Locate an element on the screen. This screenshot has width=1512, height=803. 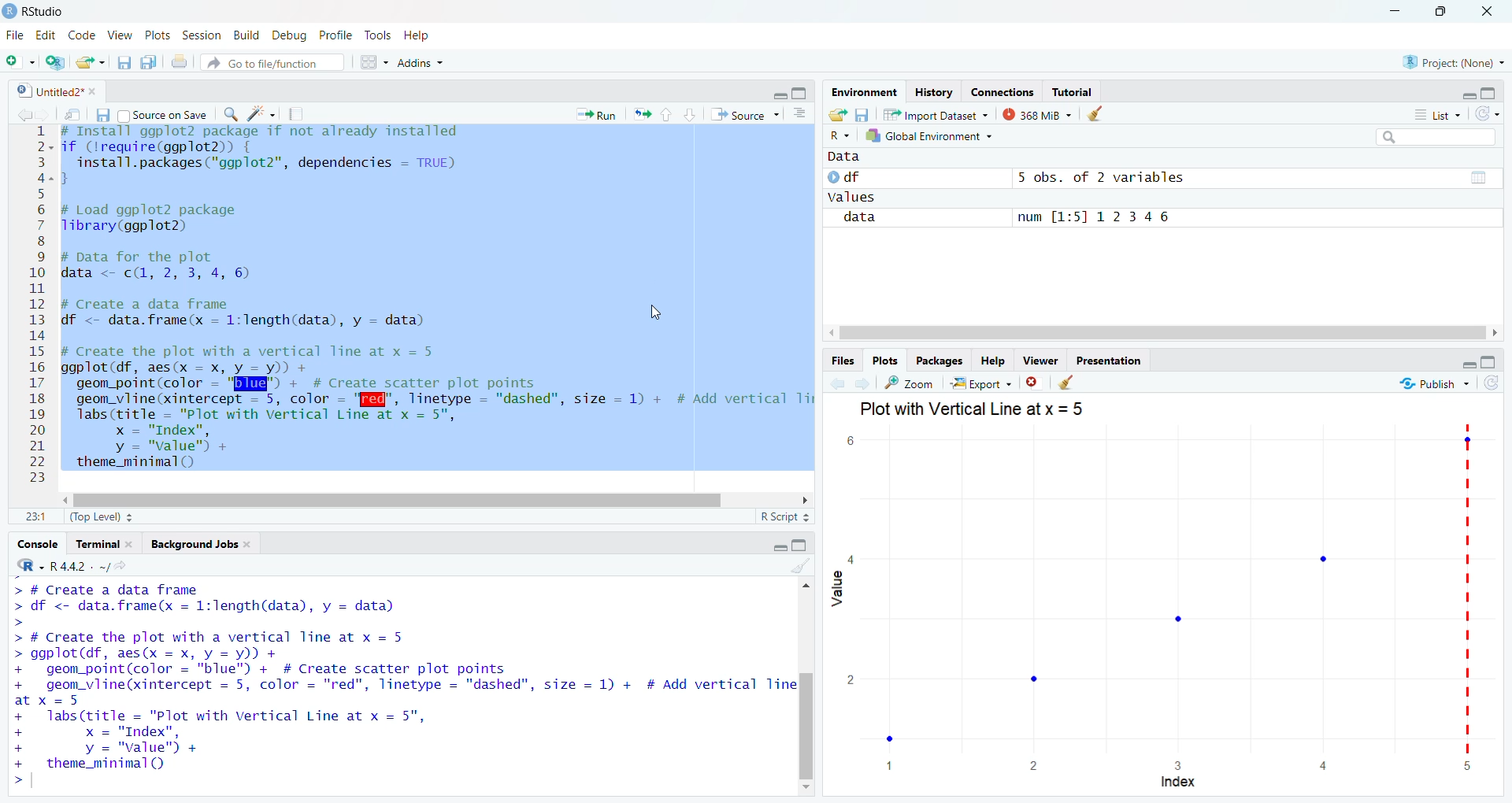
11 (Top Level) = is located at coordinates (80, 514).